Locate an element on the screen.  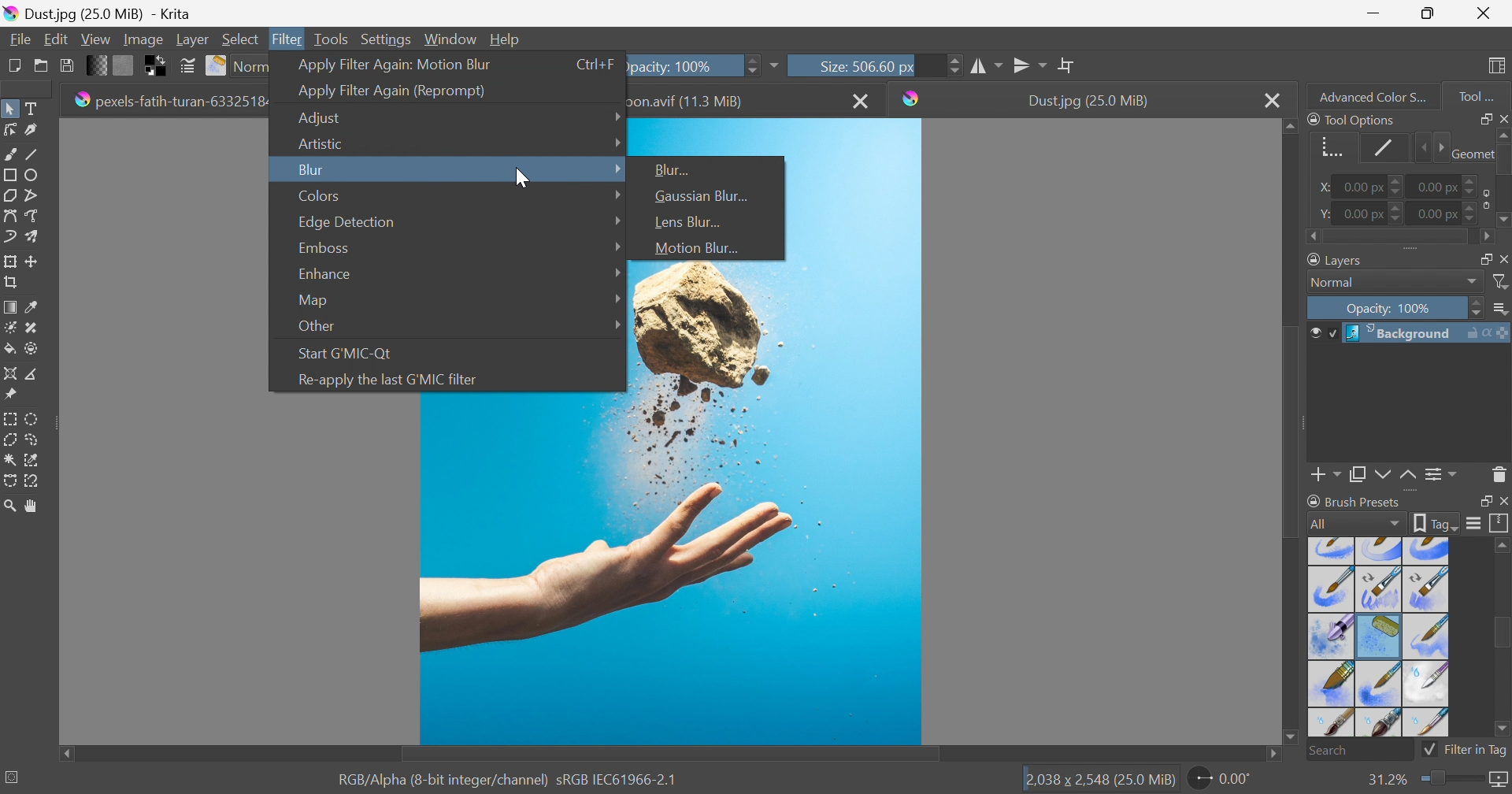
Opacity: 100% is located at coordinates (1392, 310).